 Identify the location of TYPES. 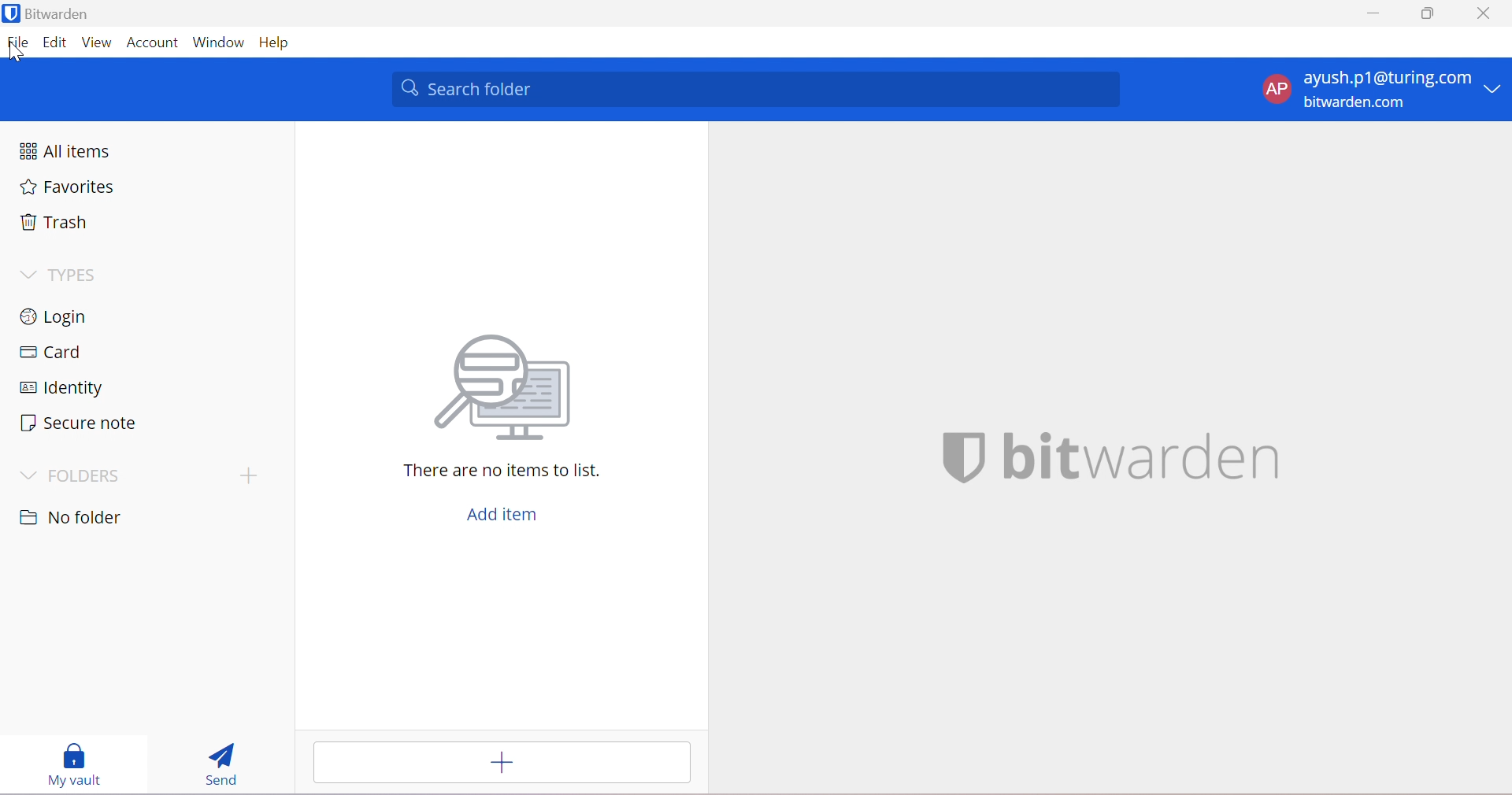
(78, 276).